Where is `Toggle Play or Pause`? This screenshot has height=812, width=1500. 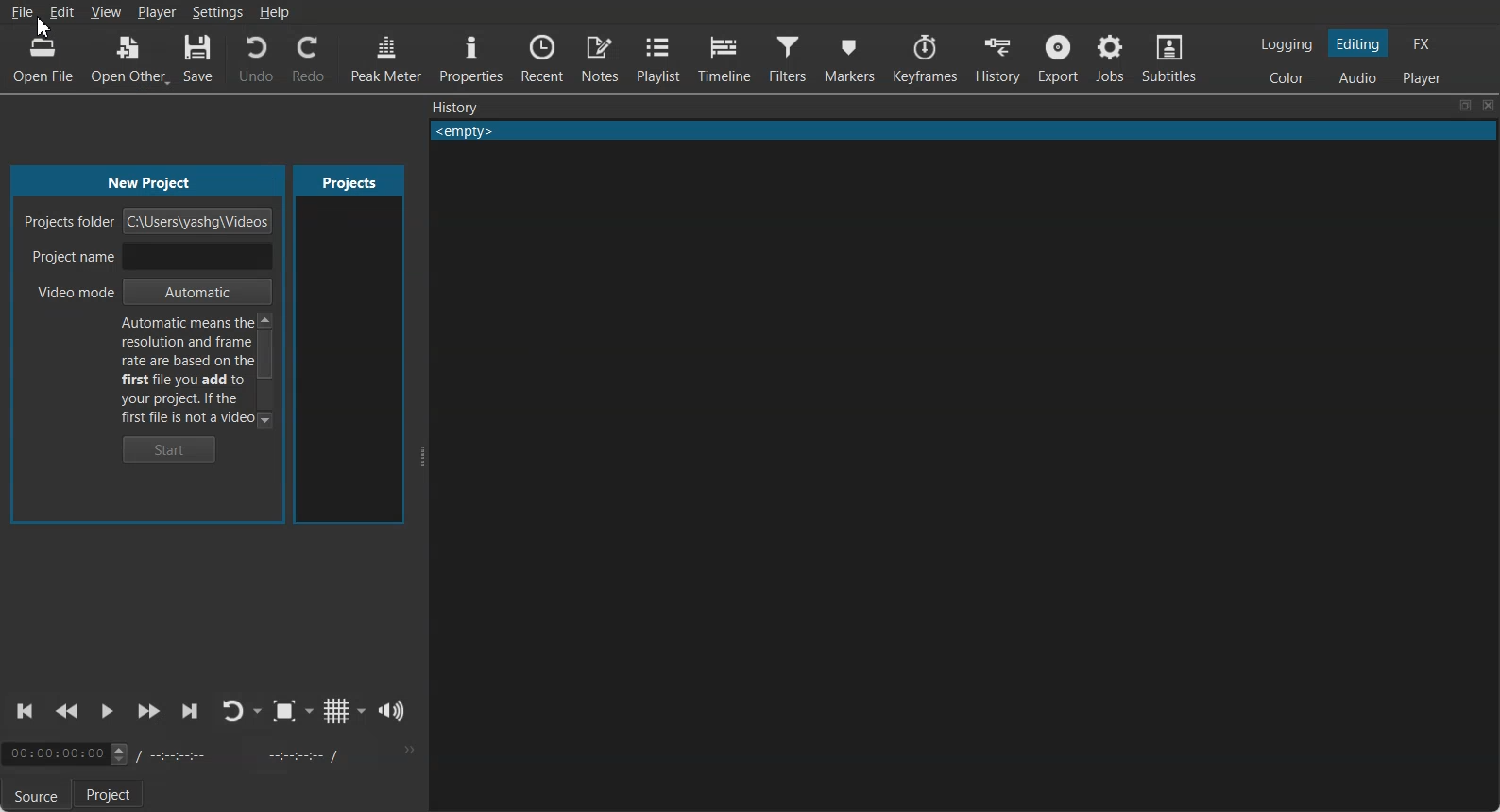 Toggle Play or Pause is located at coordinates (105, 713).